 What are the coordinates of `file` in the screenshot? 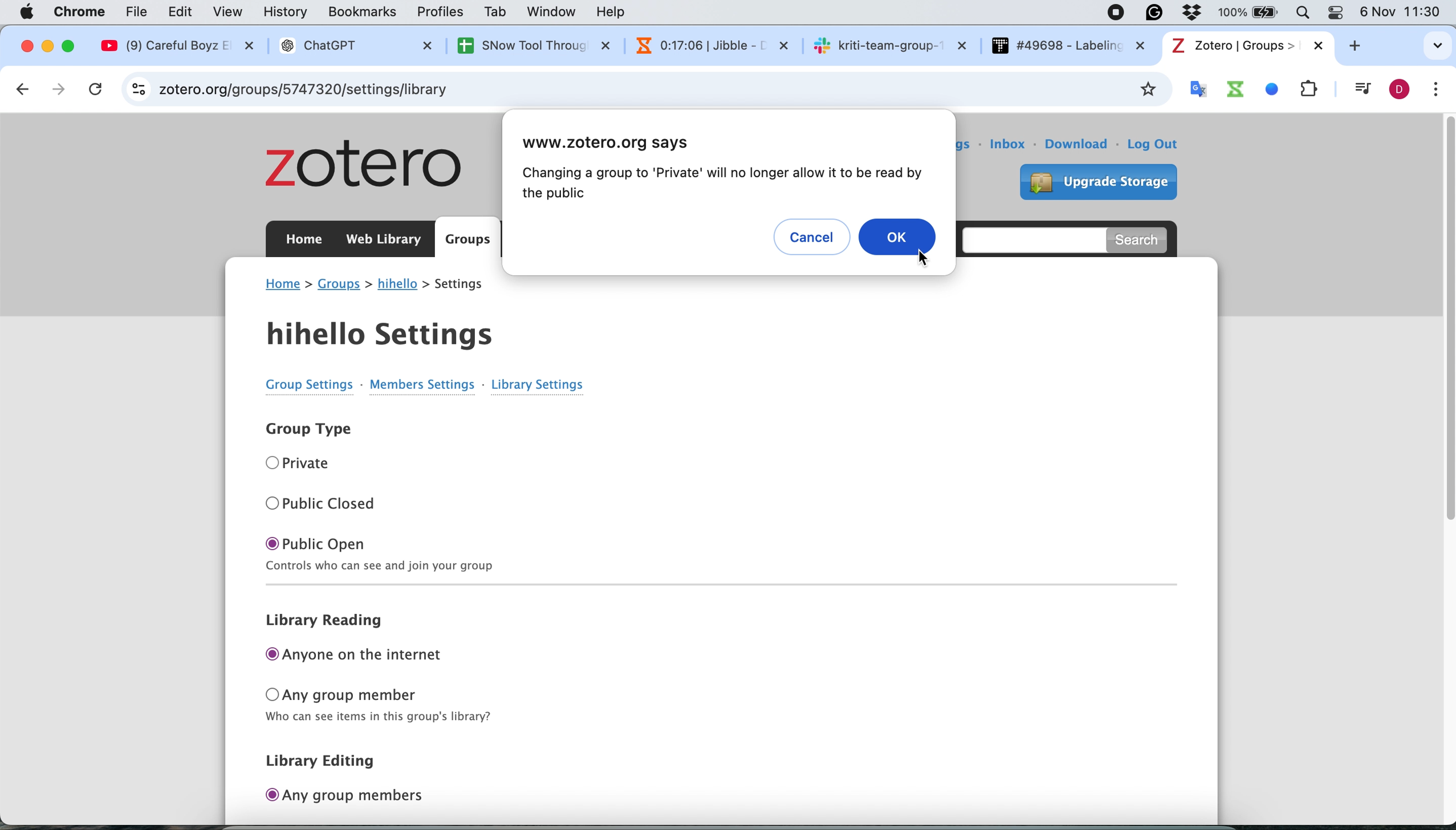 It's located at (140, 12).